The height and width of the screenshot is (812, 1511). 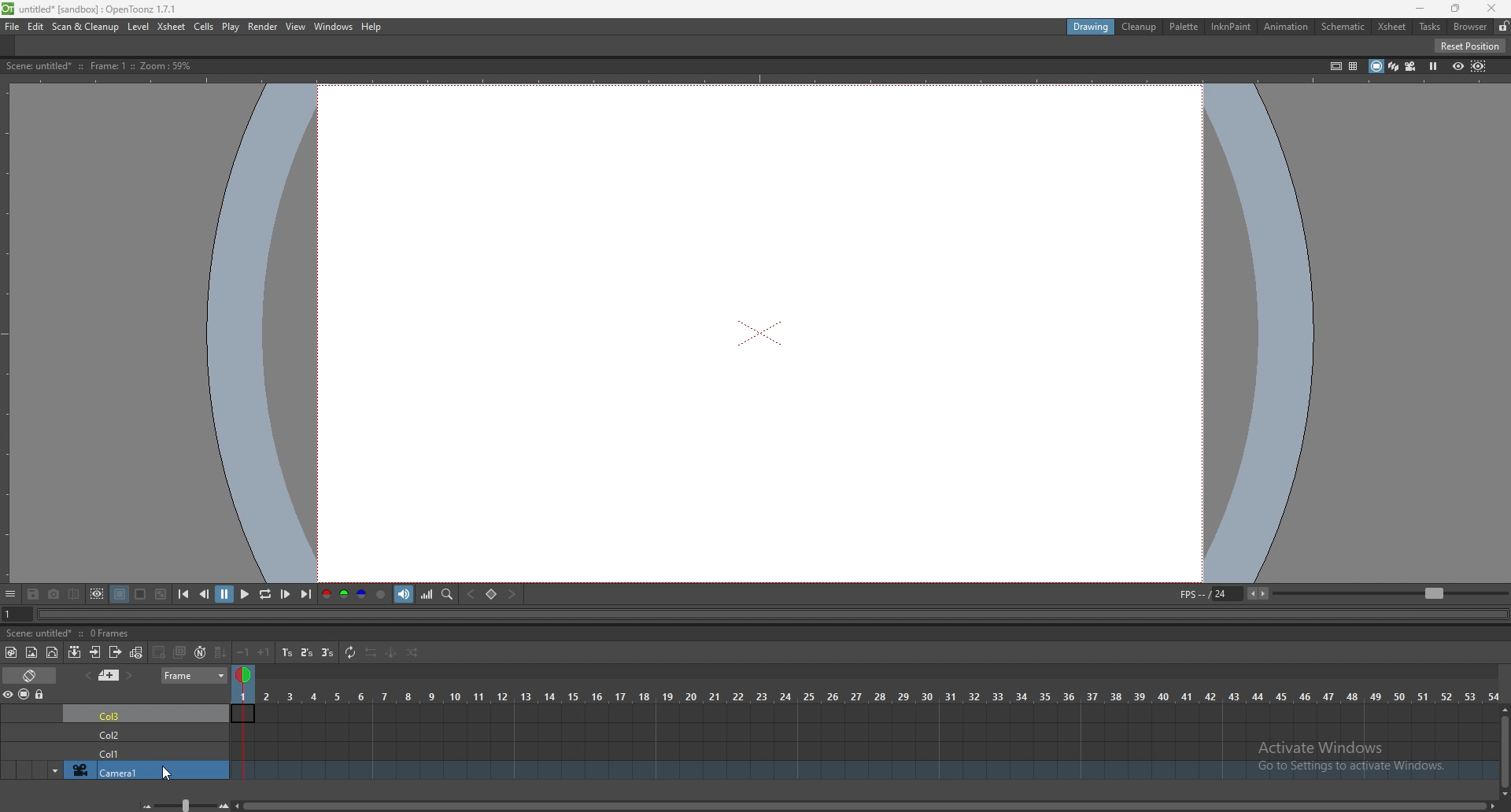 I want to click on toggle timeline, so click(x=30, y=674).